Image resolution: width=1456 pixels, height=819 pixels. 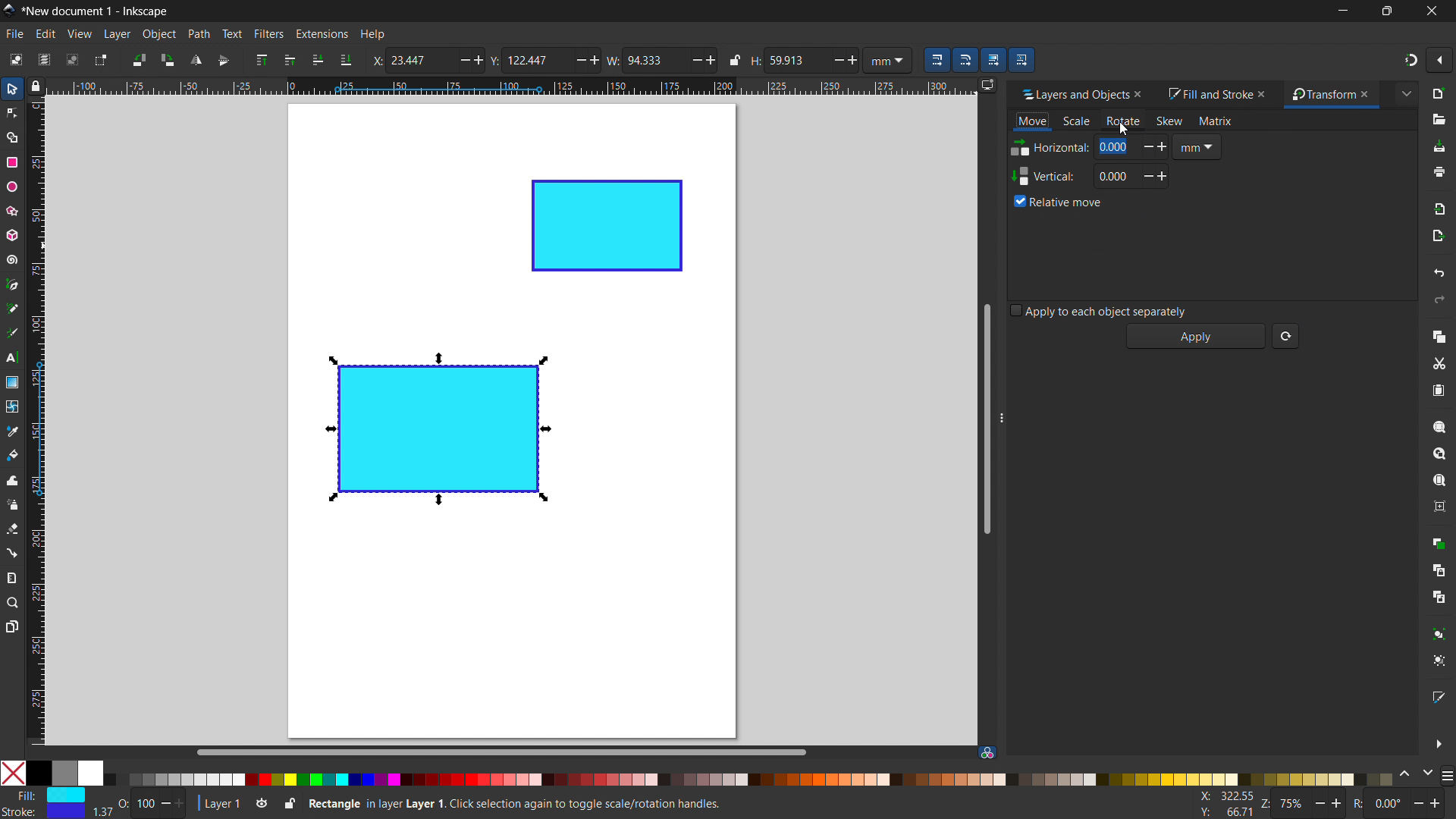 What do you see at coordinates (12, 89) in the screenshot?
I see `selector tool` at bounding box center [12, 89].